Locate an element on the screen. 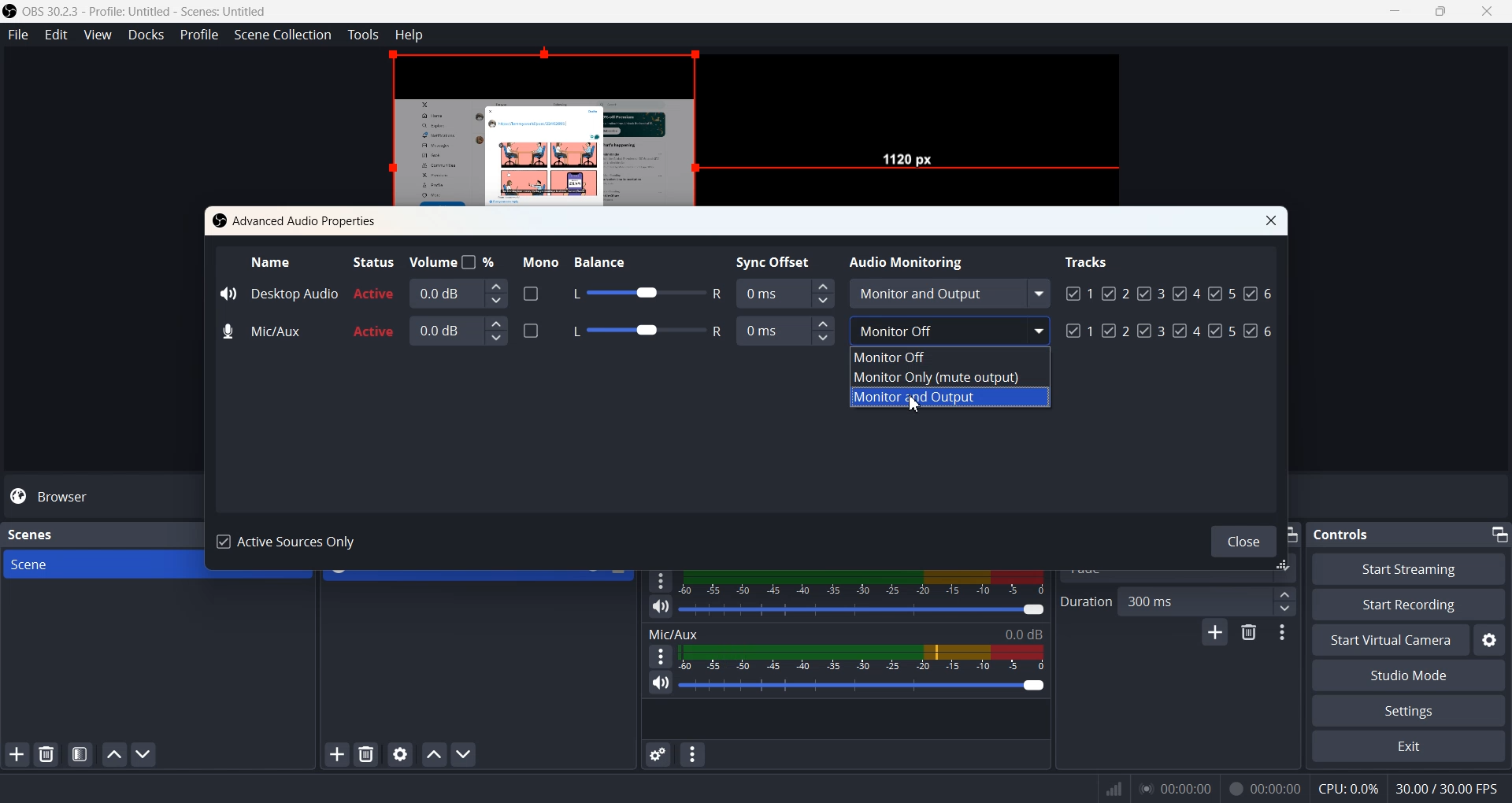 Image resolution: width=1512 pixels, height=803 pixels. 0.0 dB is located at coordinates (458, 293).